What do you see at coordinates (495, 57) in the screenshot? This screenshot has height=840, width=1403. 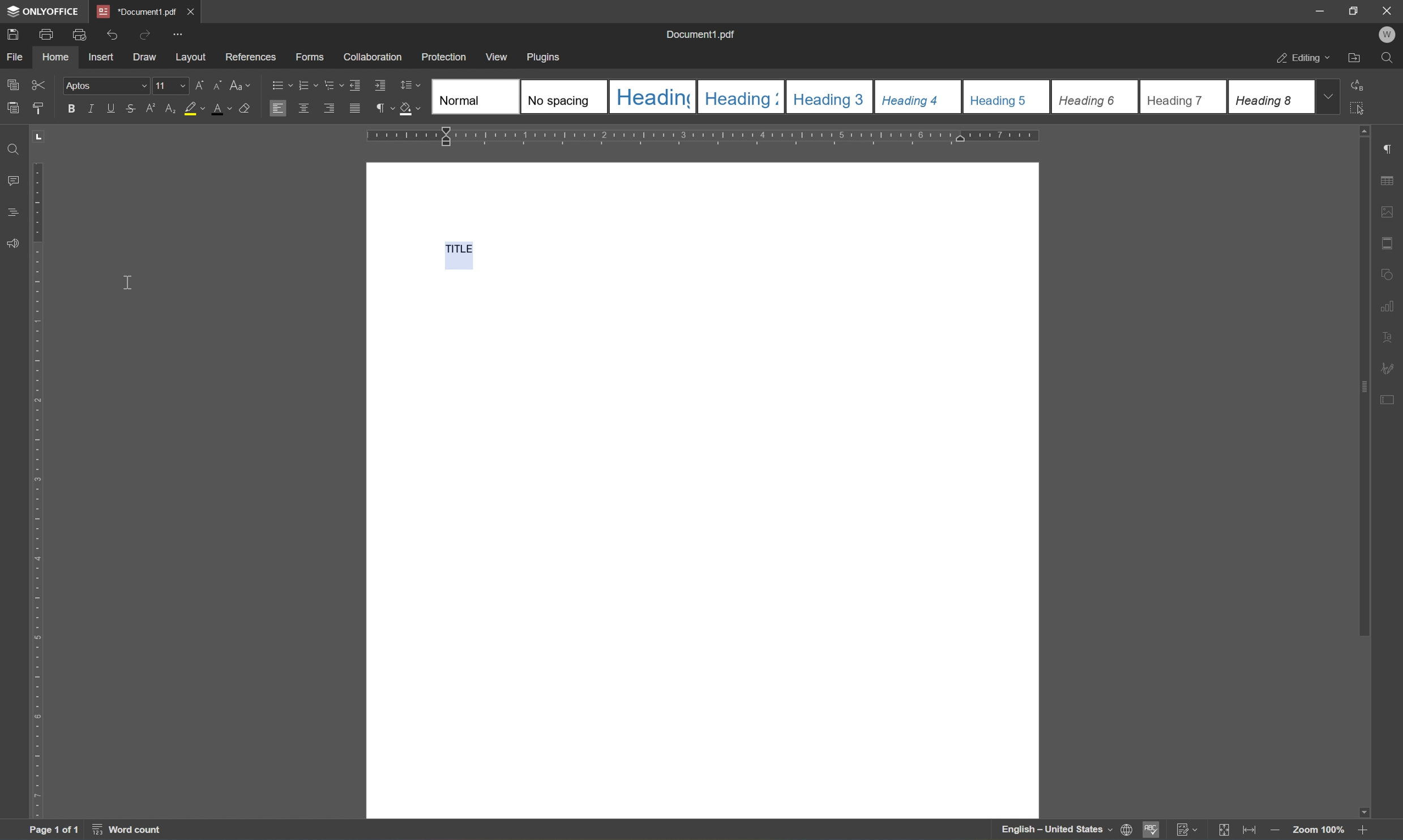 I see `view` at bounding box center [495, 57].